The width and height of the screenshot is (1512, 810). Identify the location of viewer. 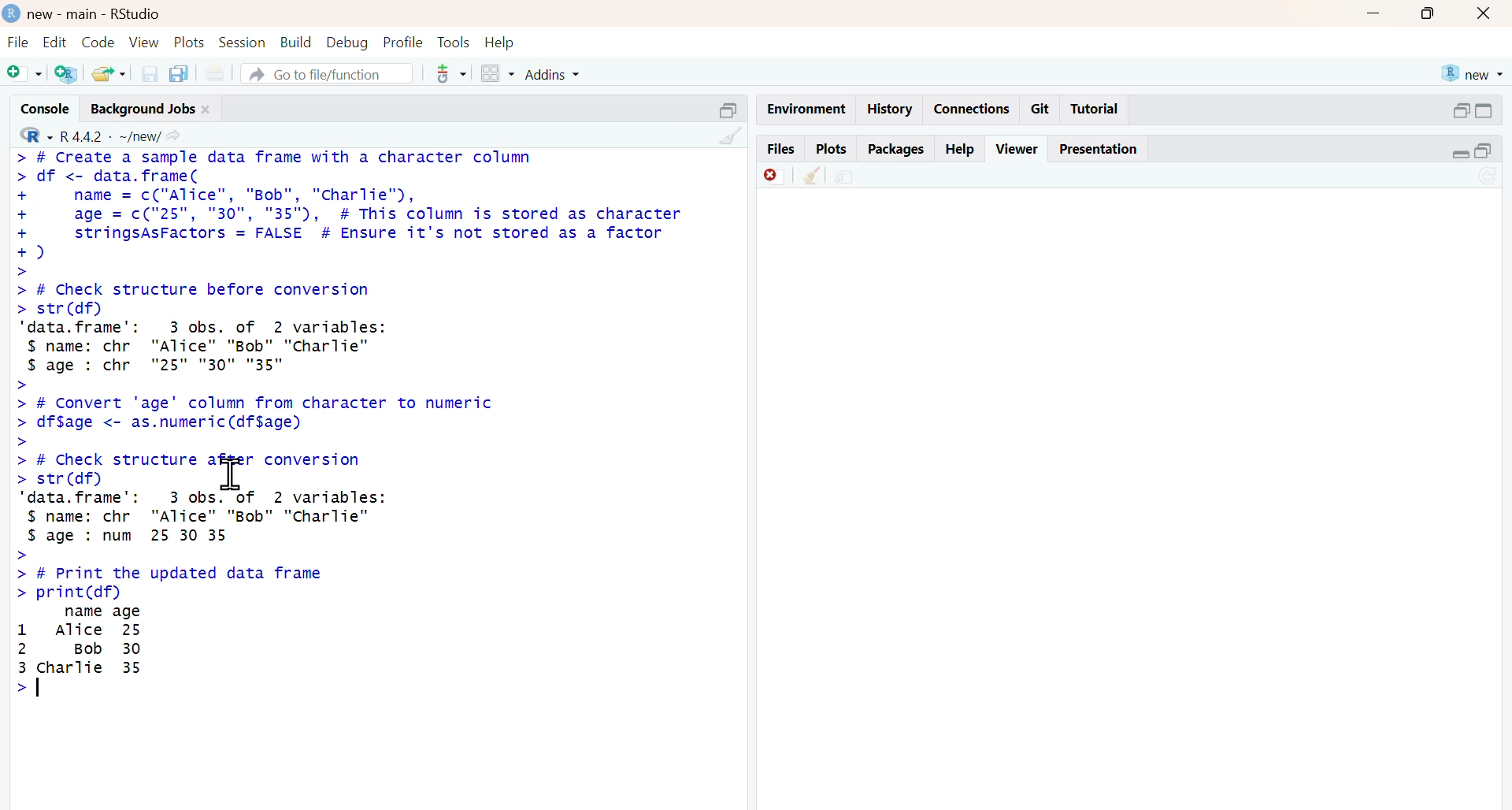
(1019, 149).